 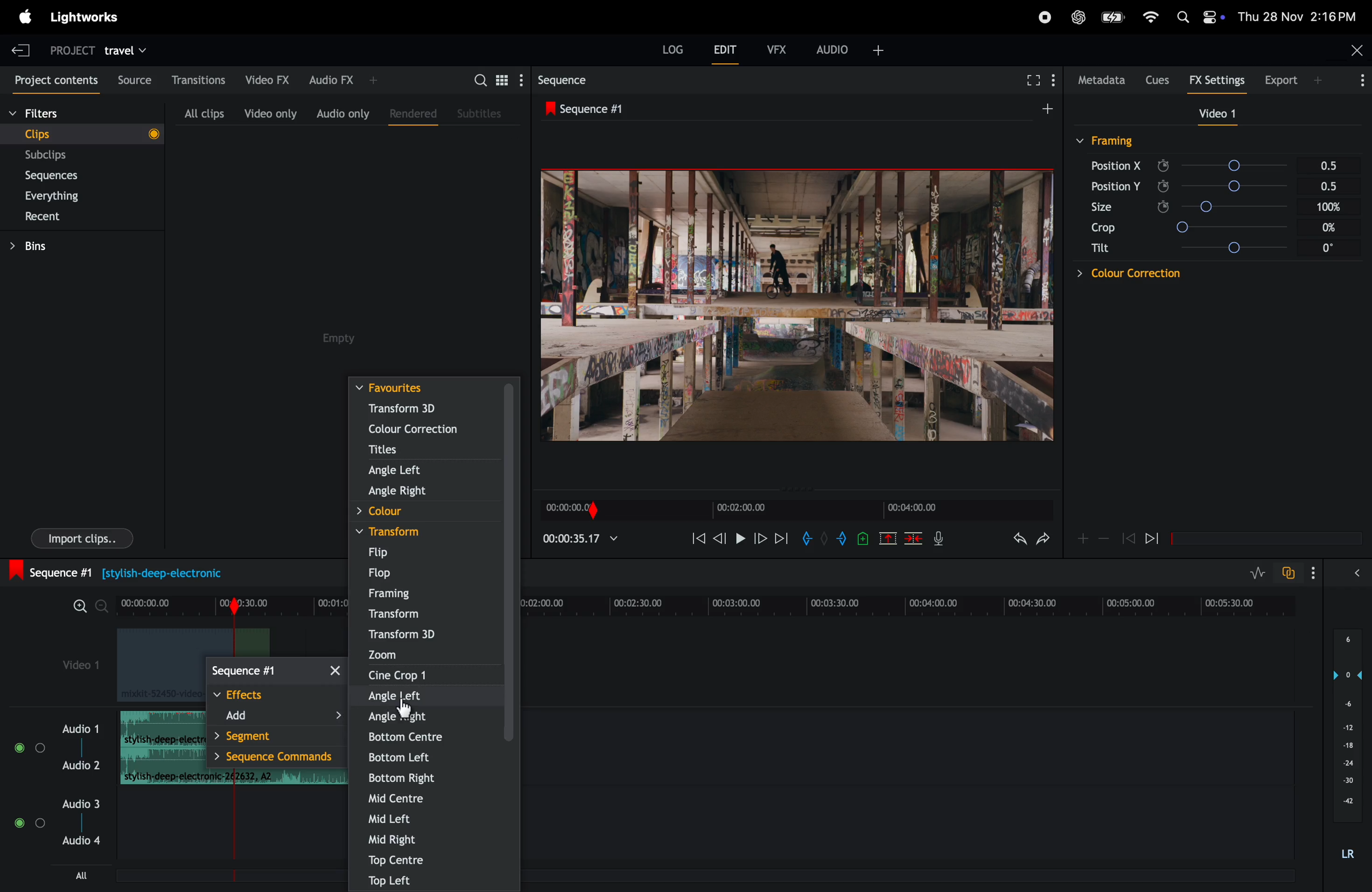 I want to click on next frame, so click(x=759, y=538).